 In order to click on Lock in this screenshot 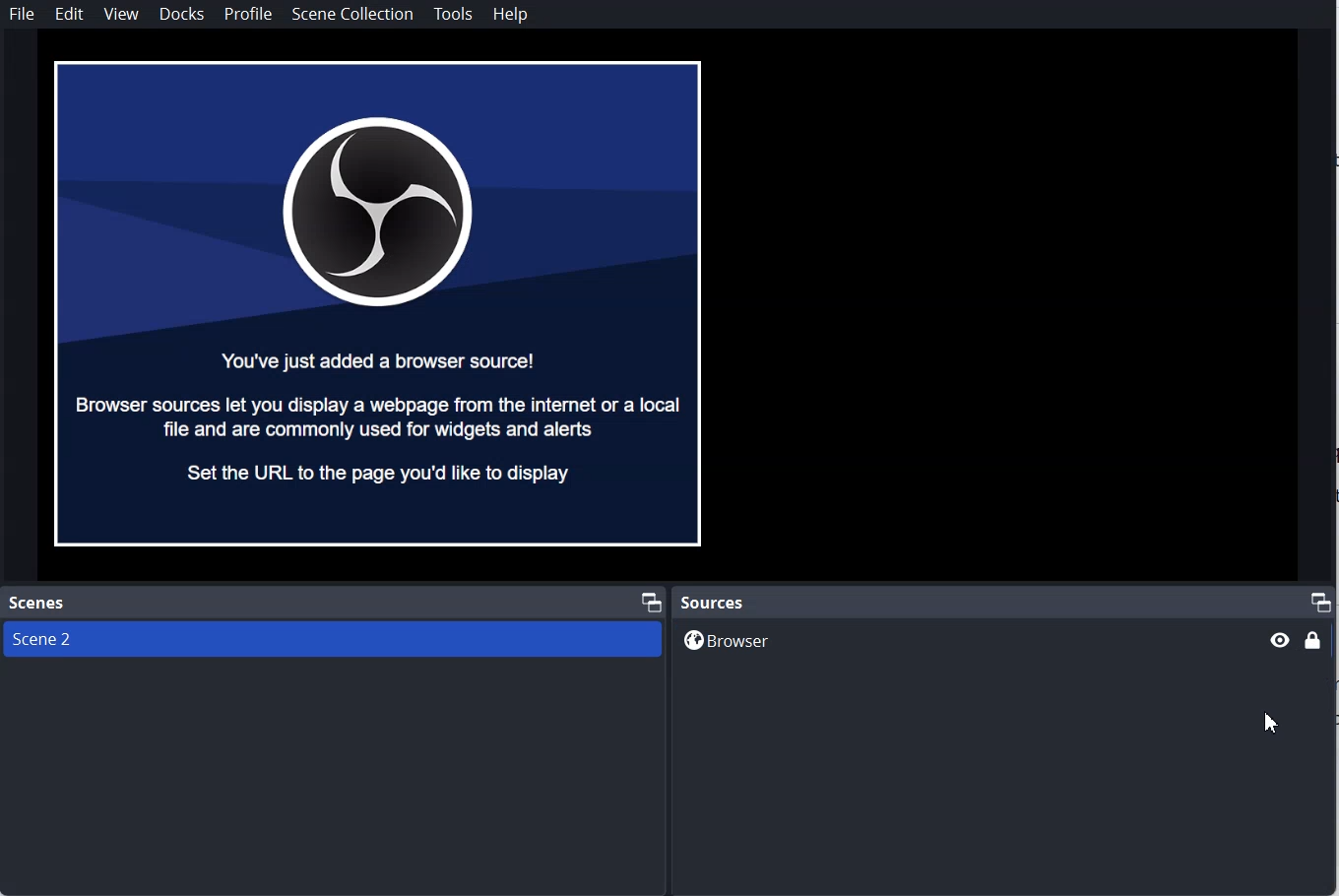, I will do `click(1313, 643)`.